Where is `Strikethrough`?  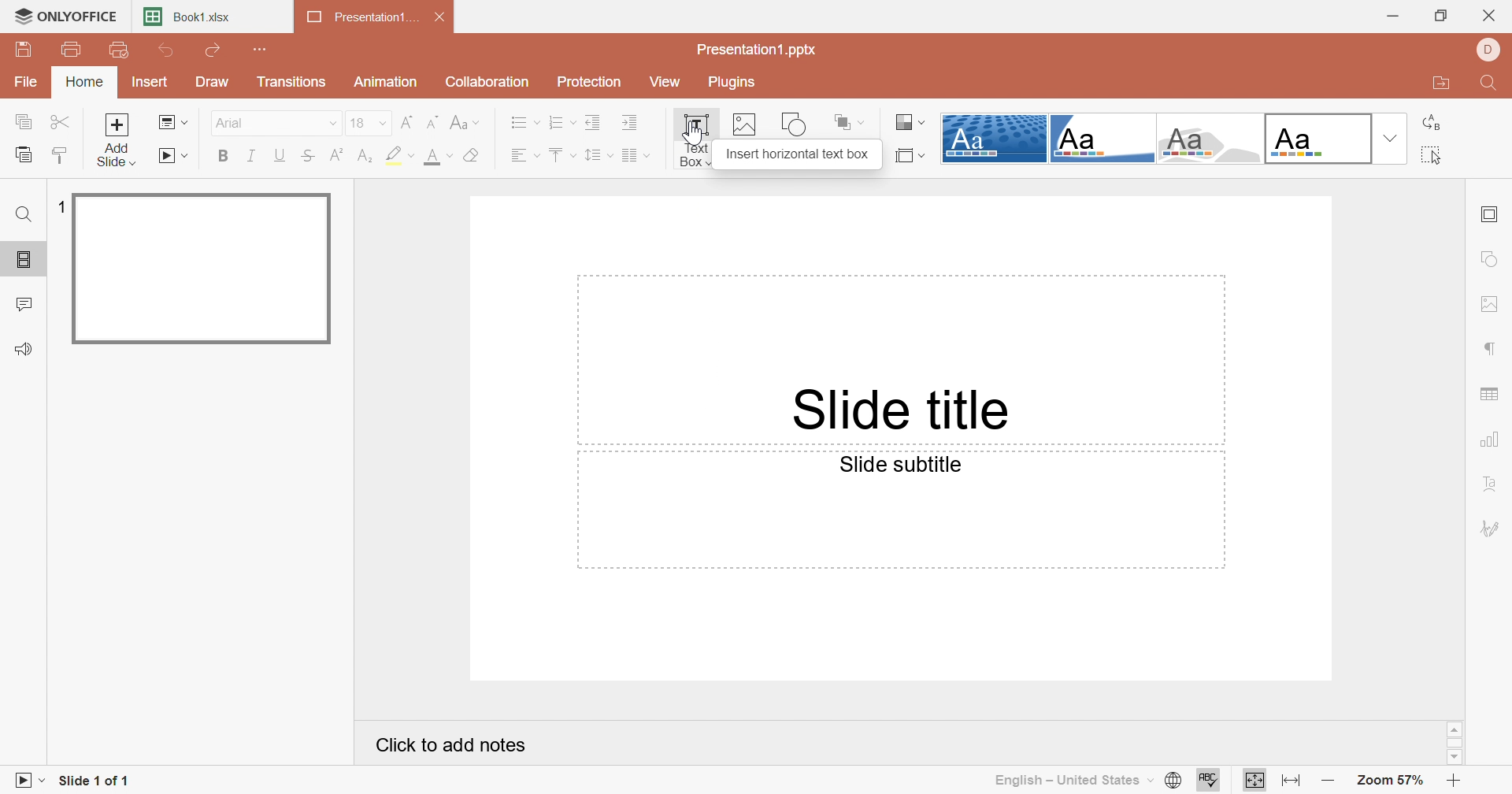
Strikethrough is located at coordinates (309, 155).